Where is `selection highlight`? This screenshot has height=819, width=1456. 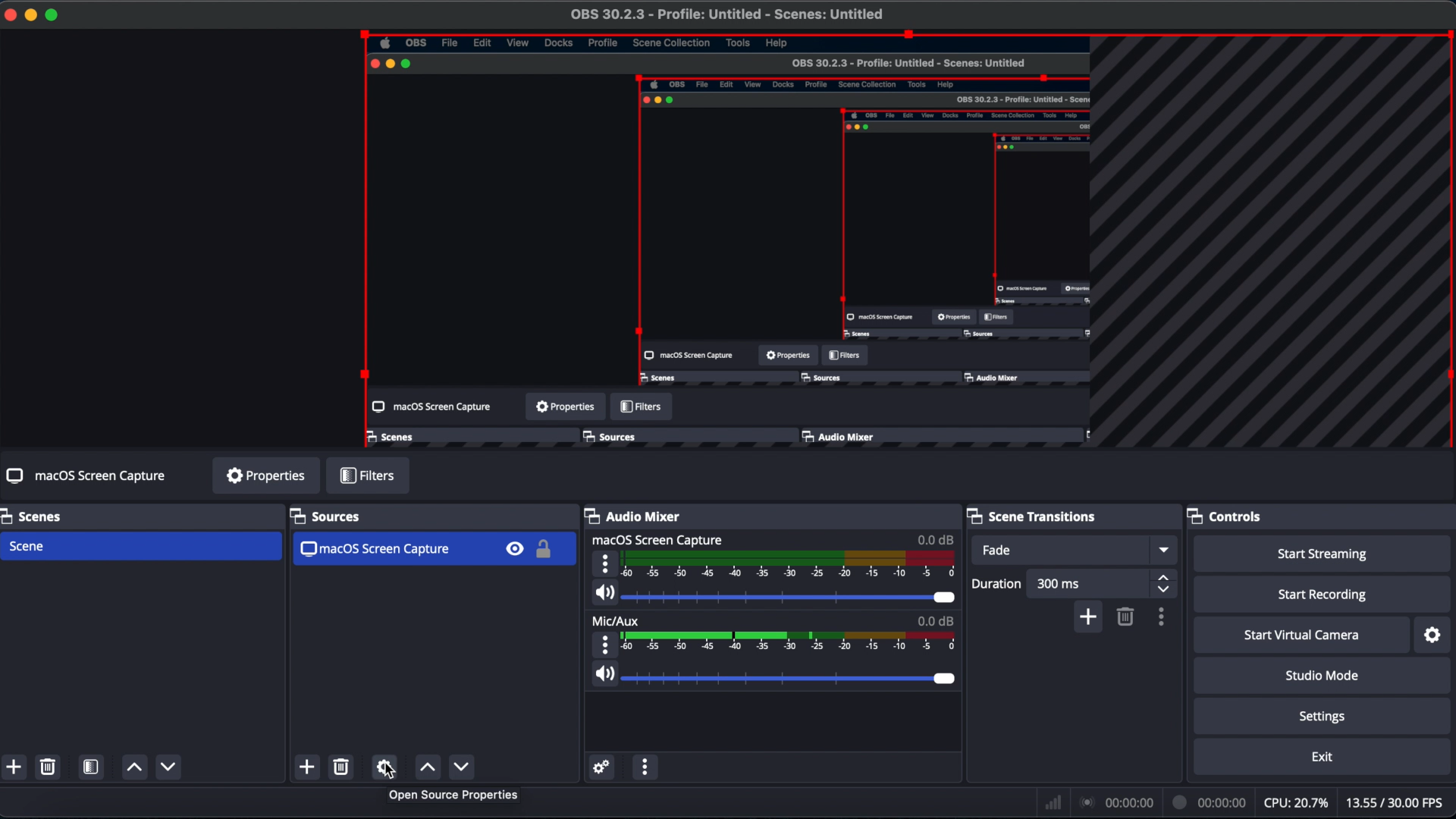 selection highlight is located at coordinates (366, 244).